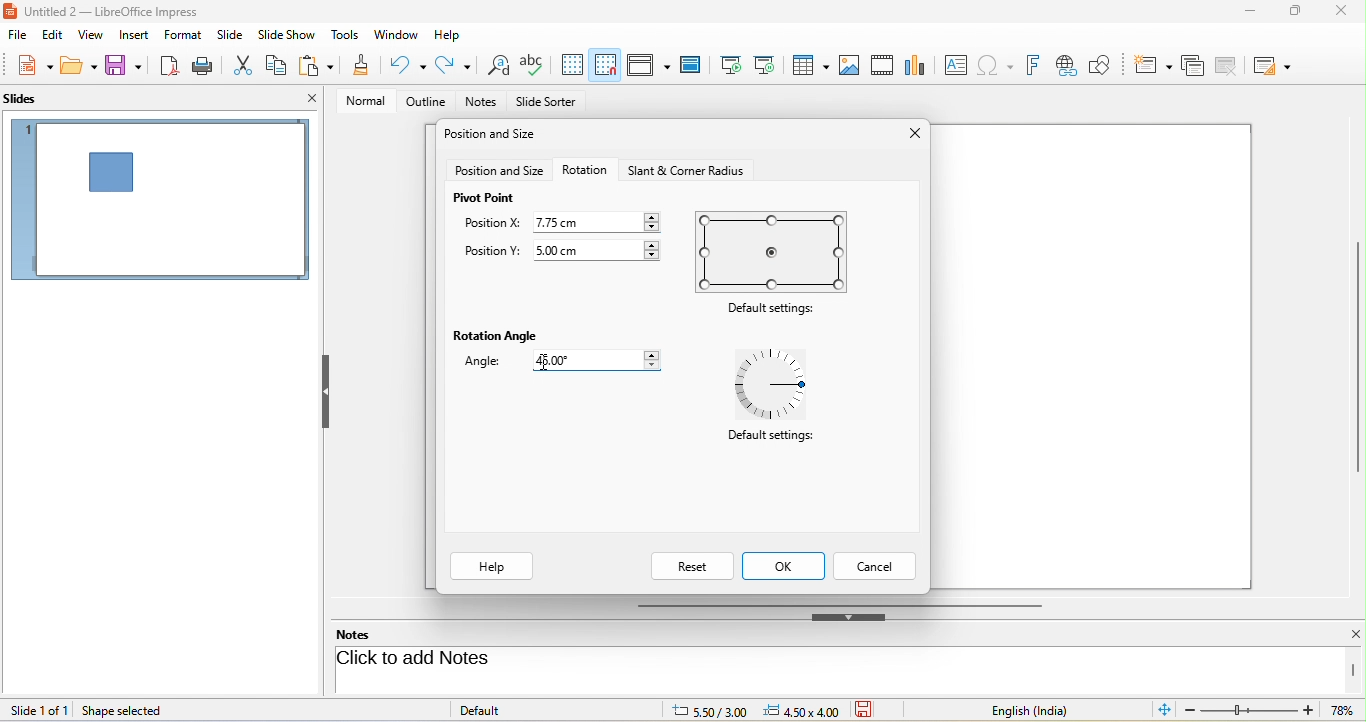 This screenshot has width=1366, height=722. What do you see at coordinates (1166, 710) in the screenshot?
I see `fit slide to current window` at bounding box center [1166, 710].